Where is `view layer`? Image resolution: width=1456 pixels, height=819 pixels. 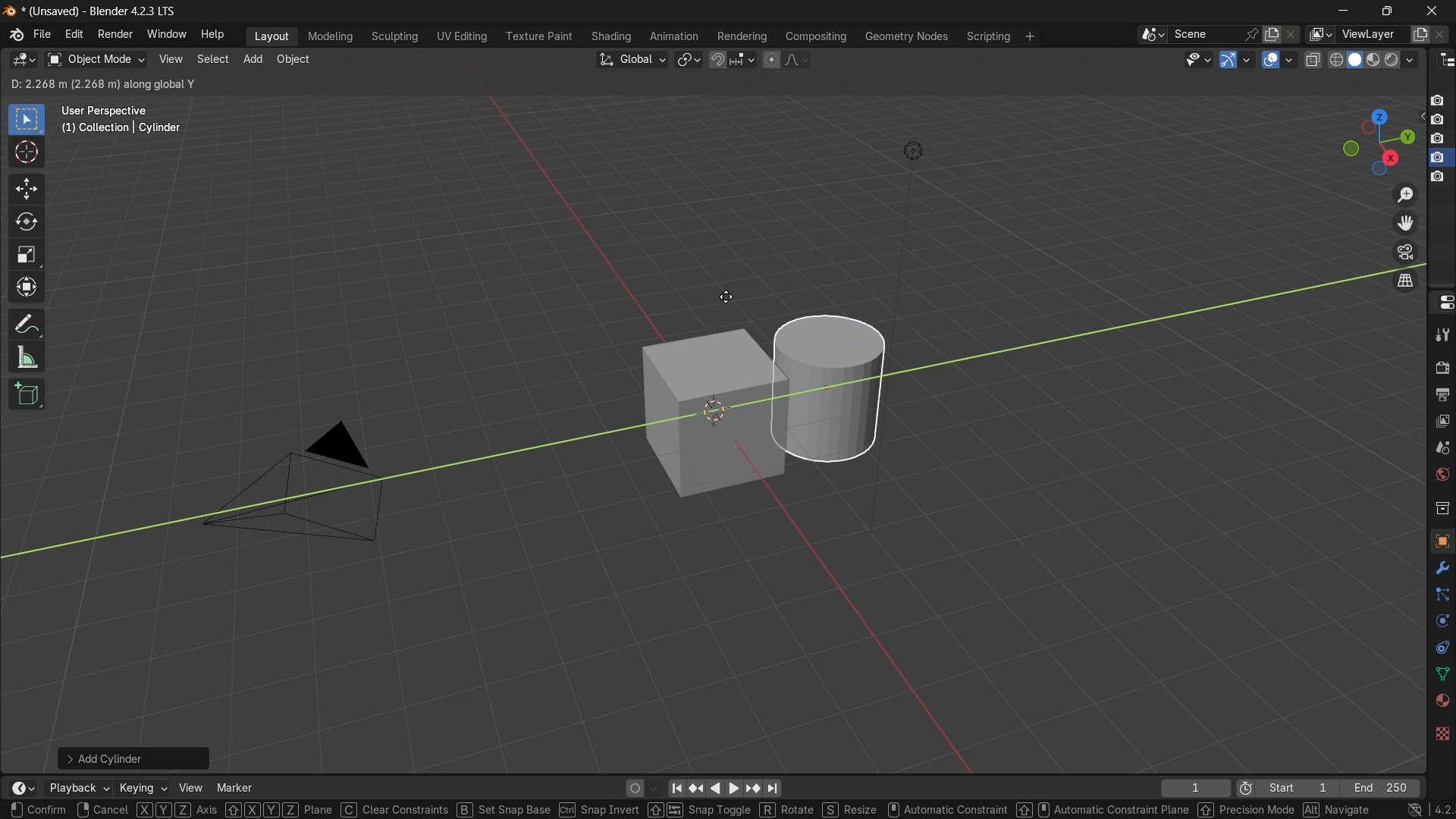
view layer is located at coordinates (1318, 34).